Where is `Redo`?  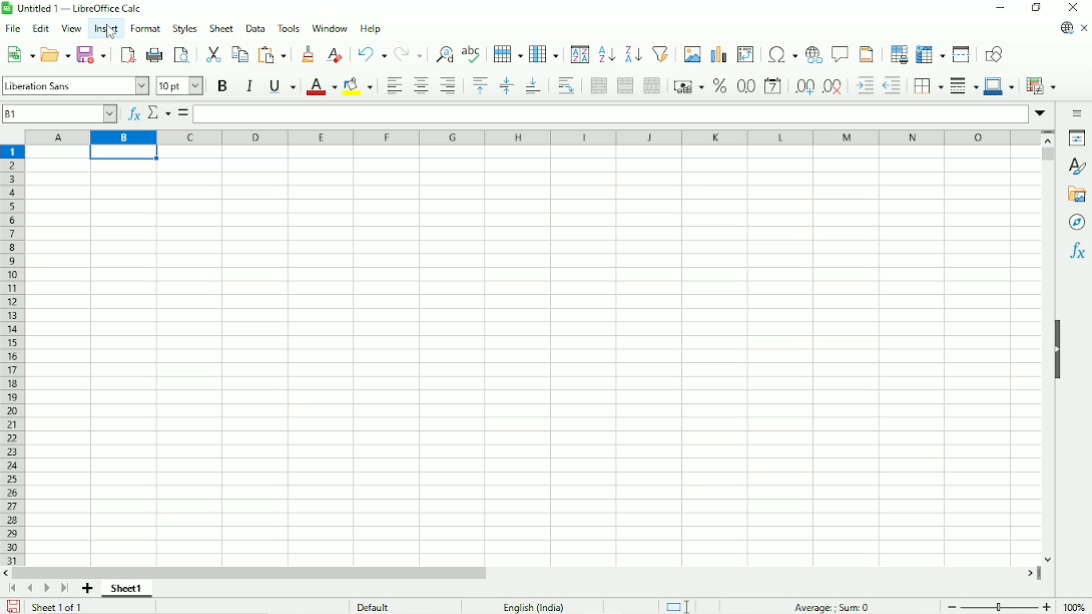 Redo is located at coordinates (408, 54).